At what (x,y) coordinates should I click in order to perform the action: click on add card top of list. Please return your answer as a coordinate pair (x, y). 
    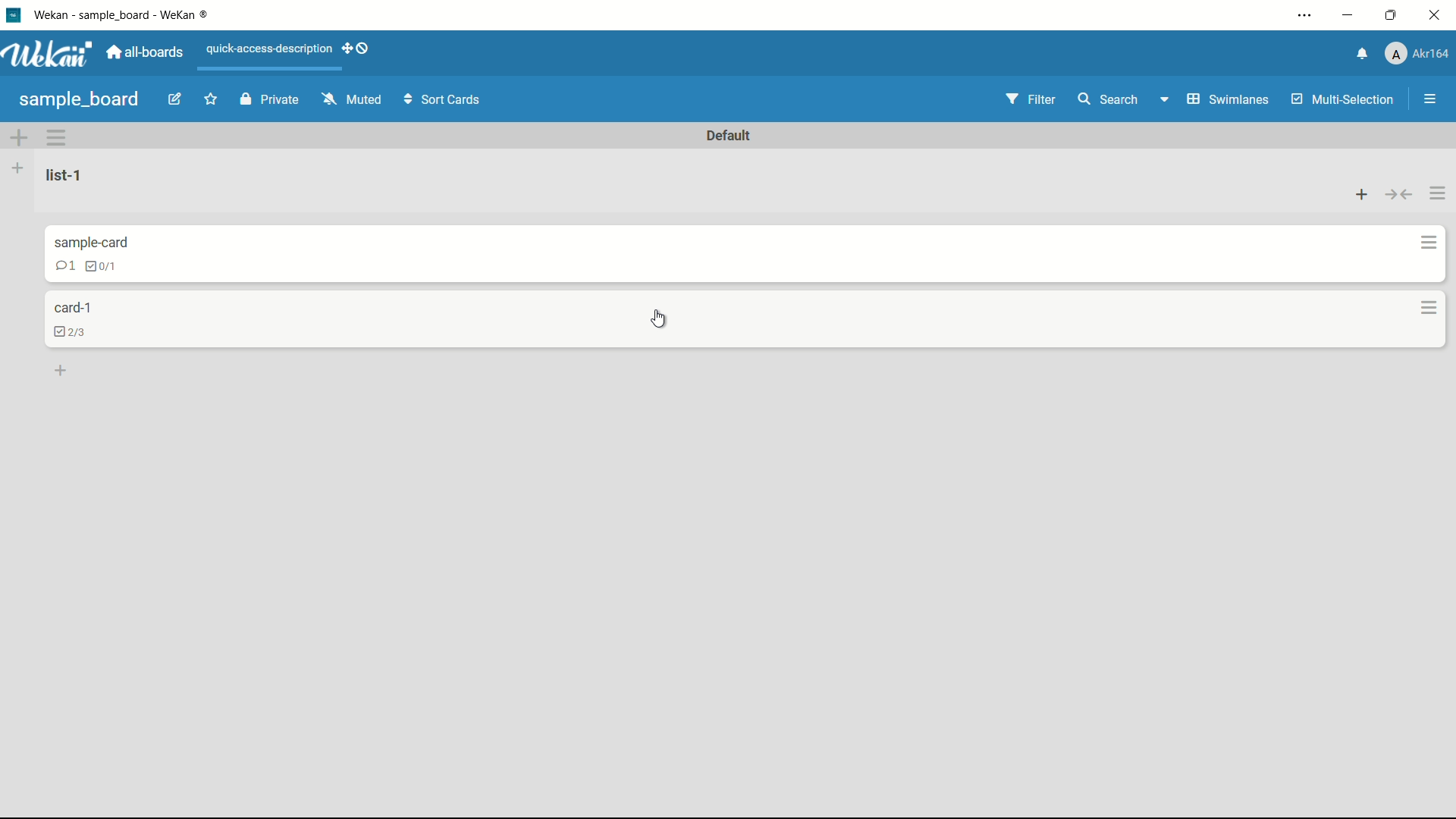
    Looking at the image, I should click on (1358, 193).